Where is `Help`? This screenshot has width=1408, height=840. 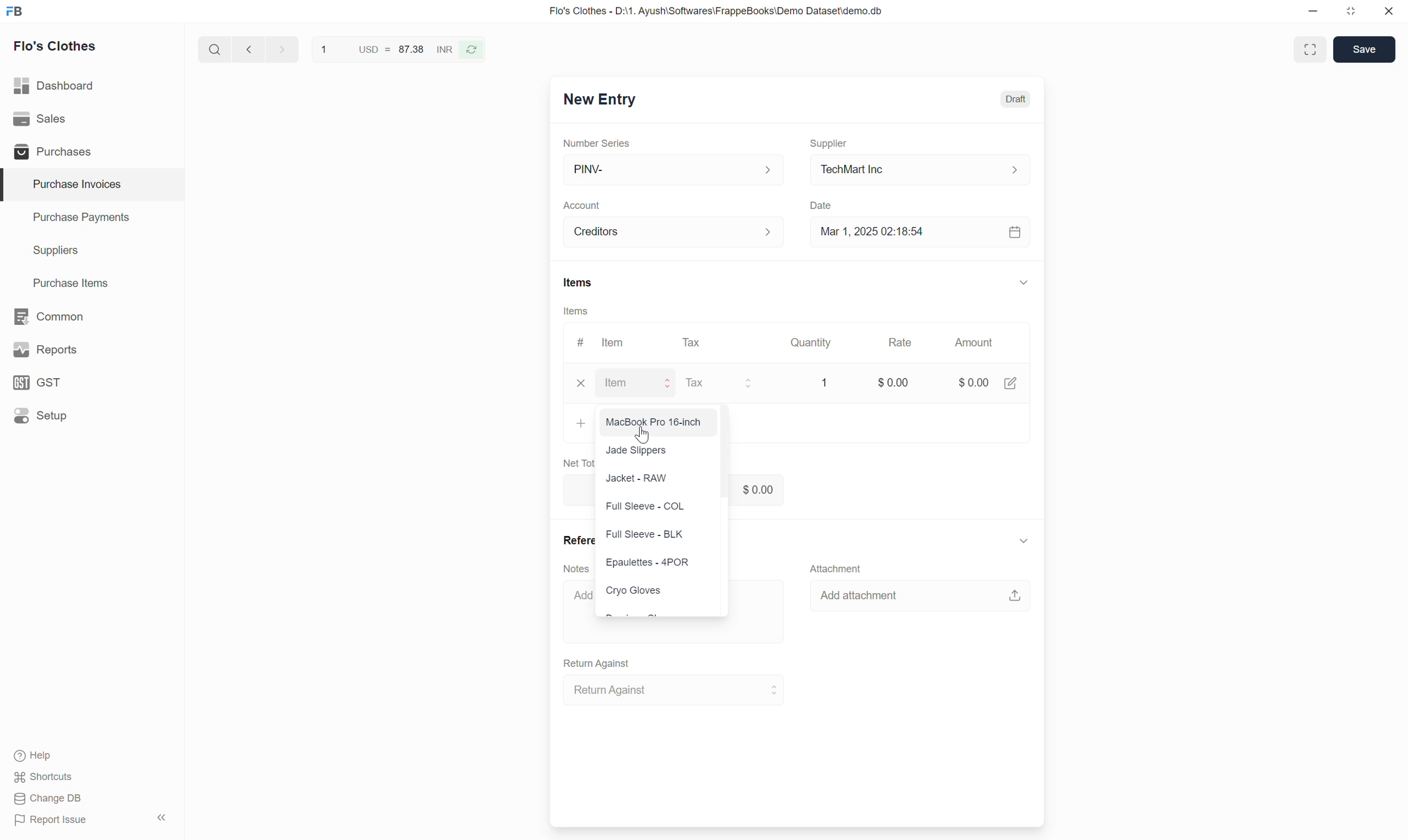
Help is located at coordinates (38, 756).